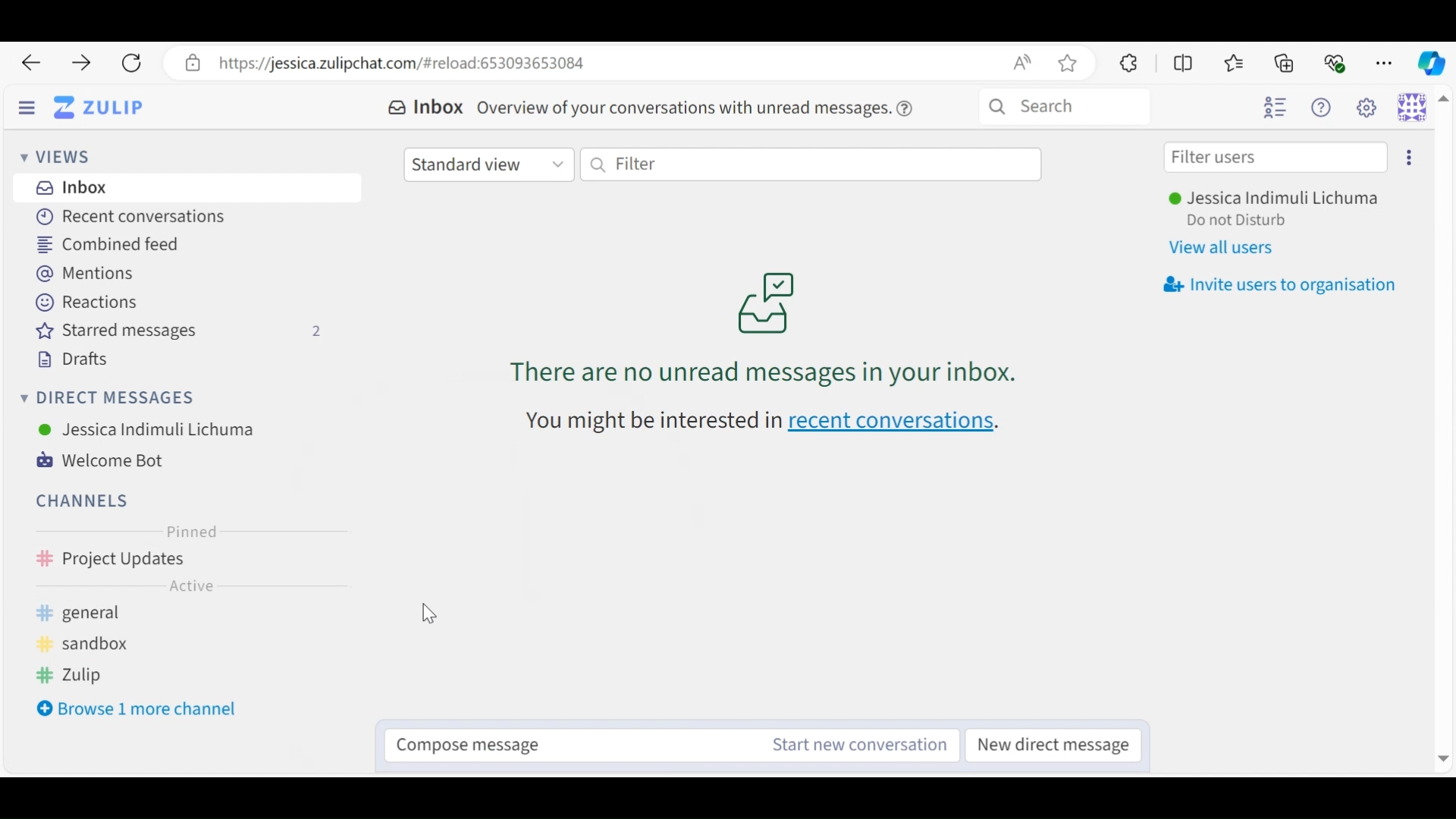  What do you see at coordinates (110, 461) in the screenshot?
I see `Welcome Bot` at bounding box center [110, 461].